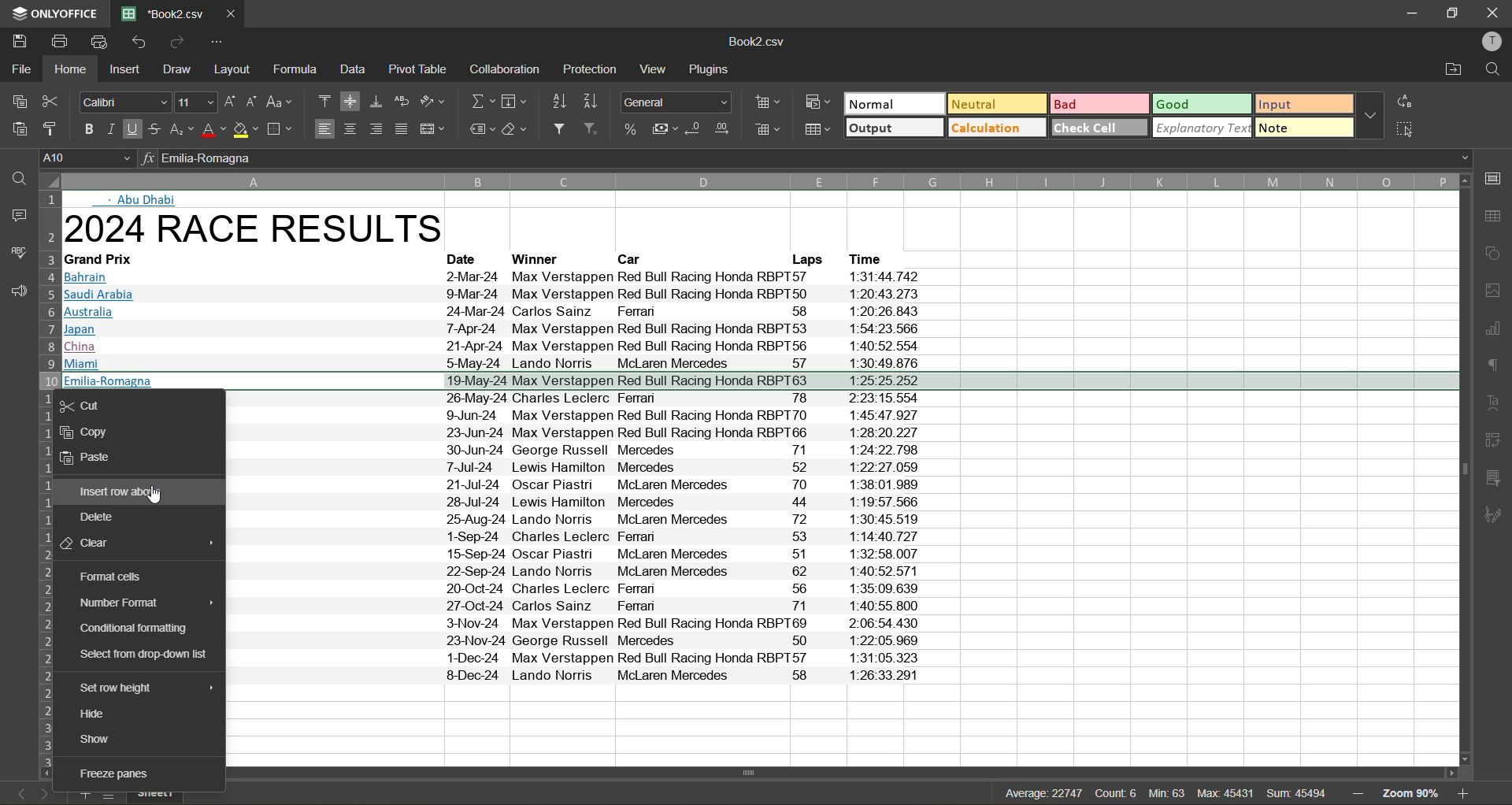 The height and width of the screenshot is (805, 1512). What do you see at coordinates (122, 489) in the screenshot?
I see `insert new above` at bounding box center [122, 489].